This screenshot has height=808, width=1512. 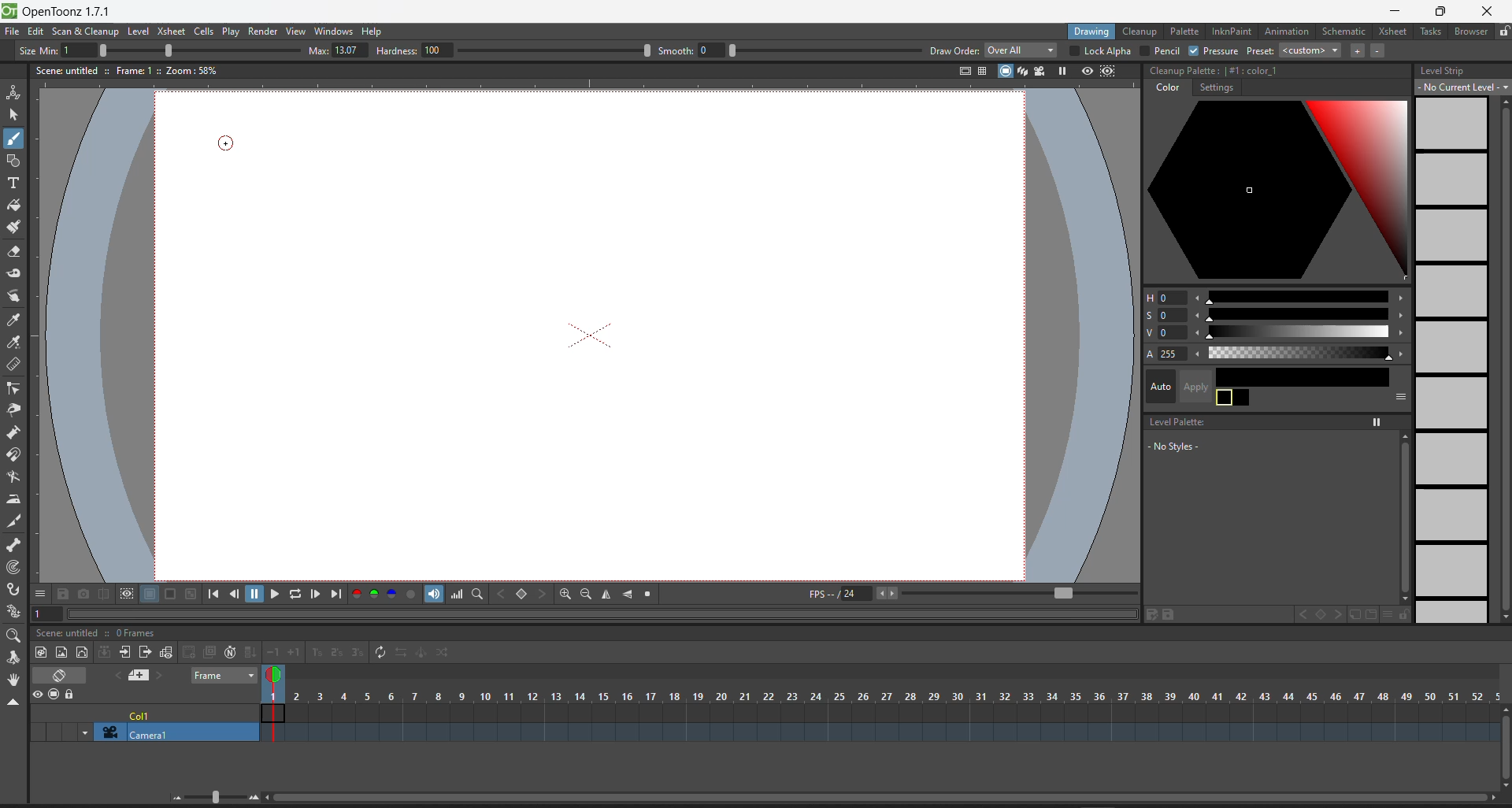 I want to click on current style, so click(x=1305, y=373).